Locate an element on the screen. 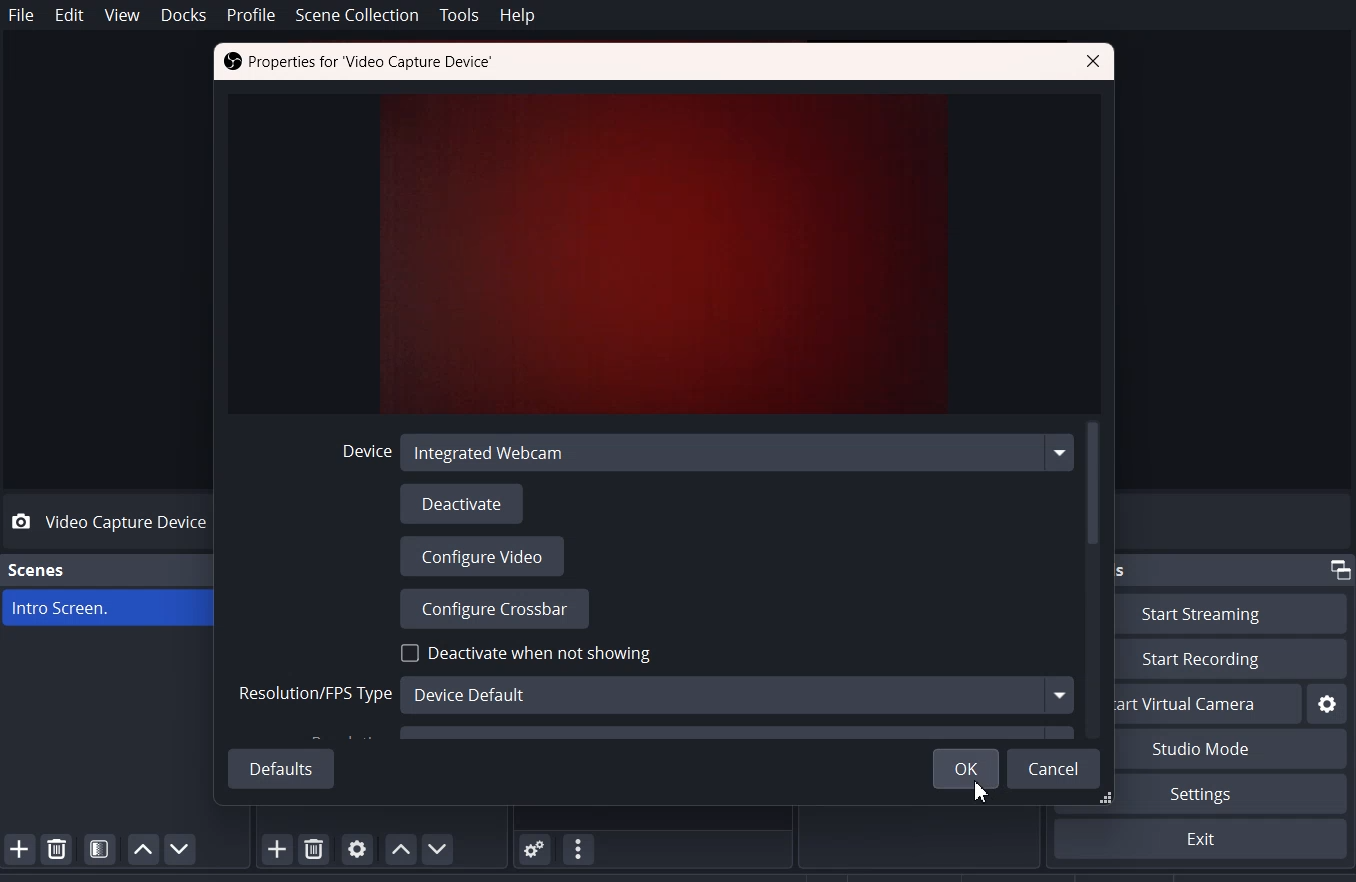 This screenshot has width=1356, height=882. Vertical scroll bar is located at coordinates (1095, 580).